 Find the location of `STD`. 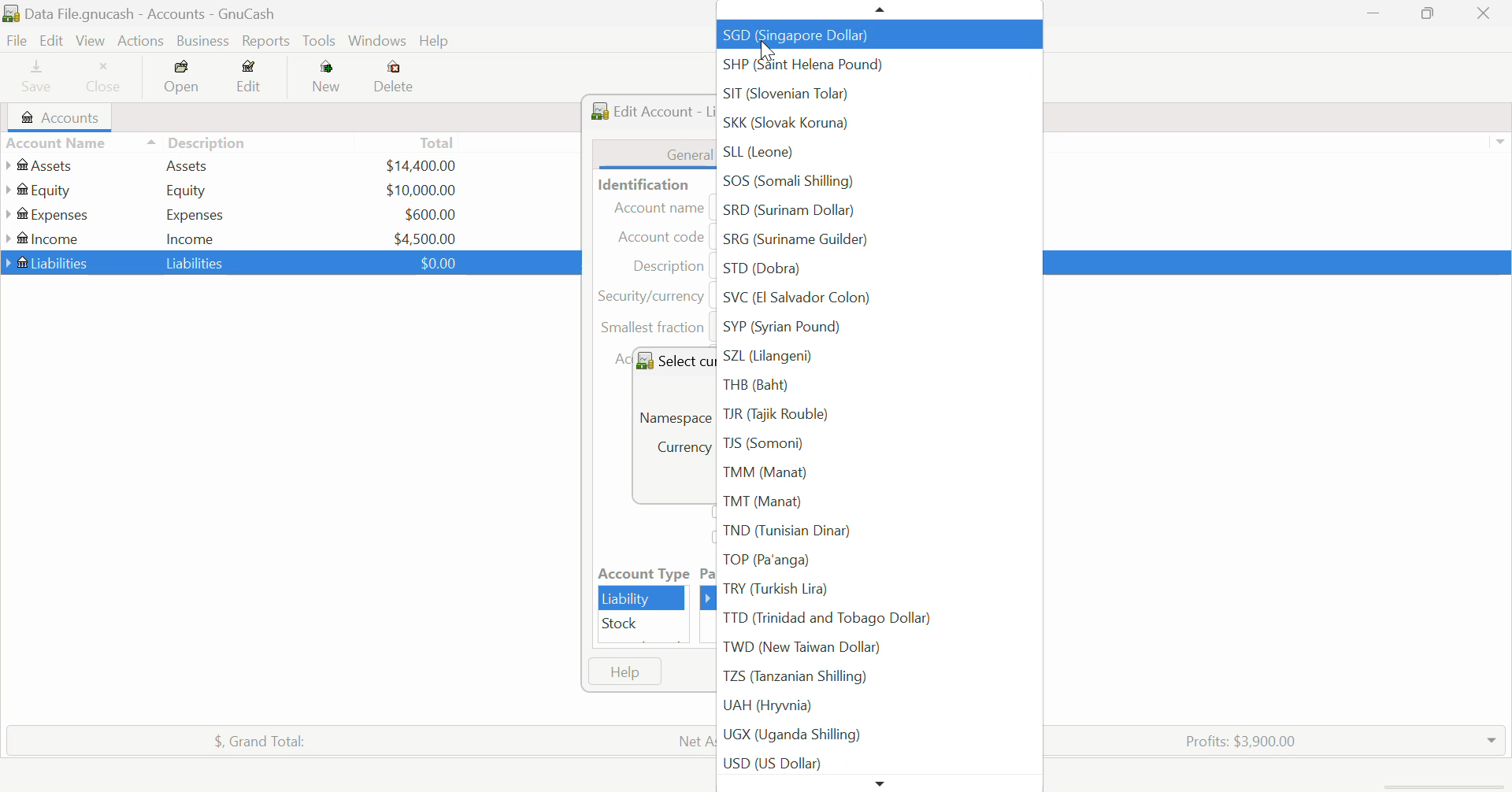

STD is located at coordinates (880, 272).